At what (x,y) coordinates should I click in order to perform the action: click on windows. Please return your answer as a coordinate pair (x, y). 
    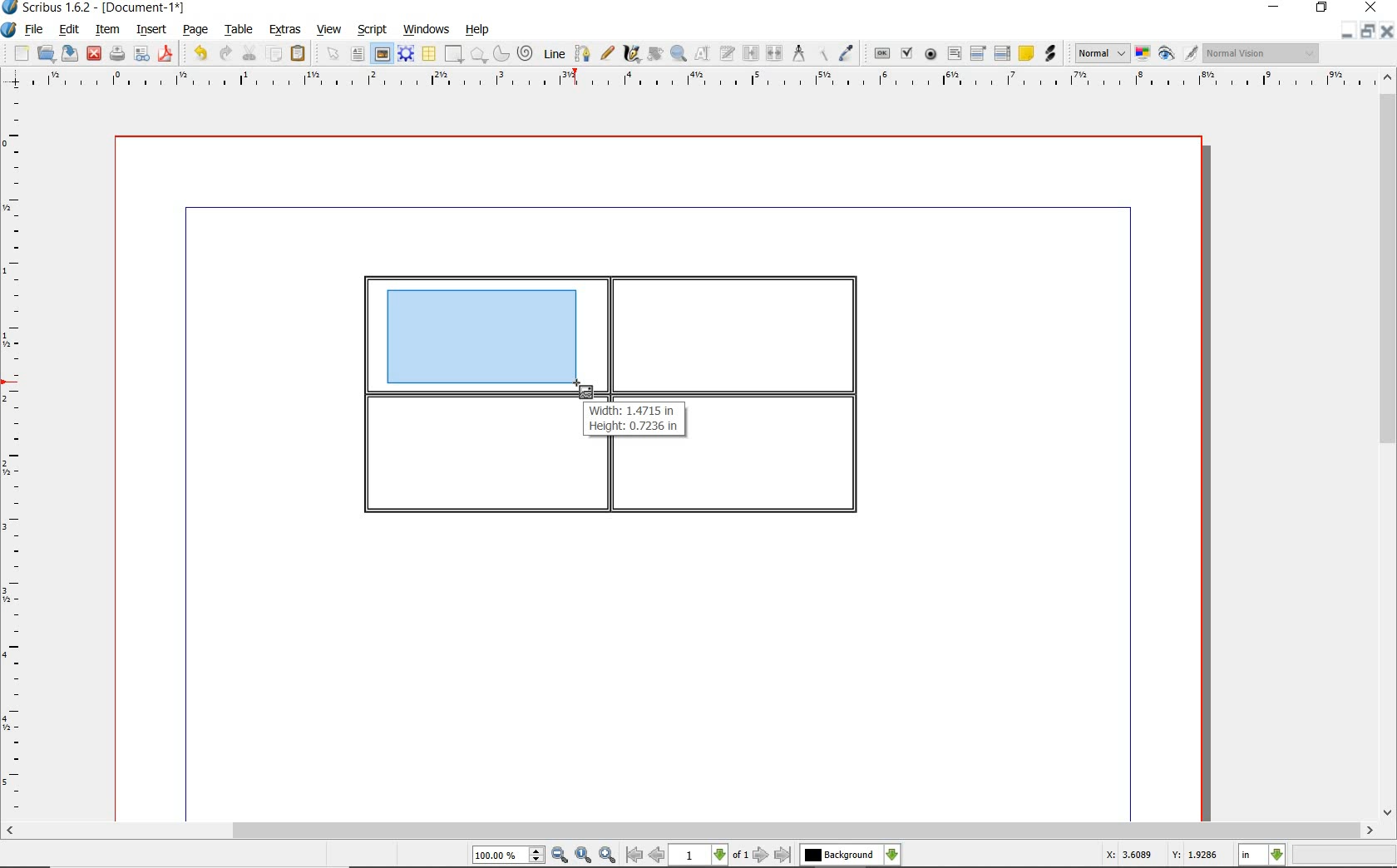
    Looking at the image, I should click on (426, 30).